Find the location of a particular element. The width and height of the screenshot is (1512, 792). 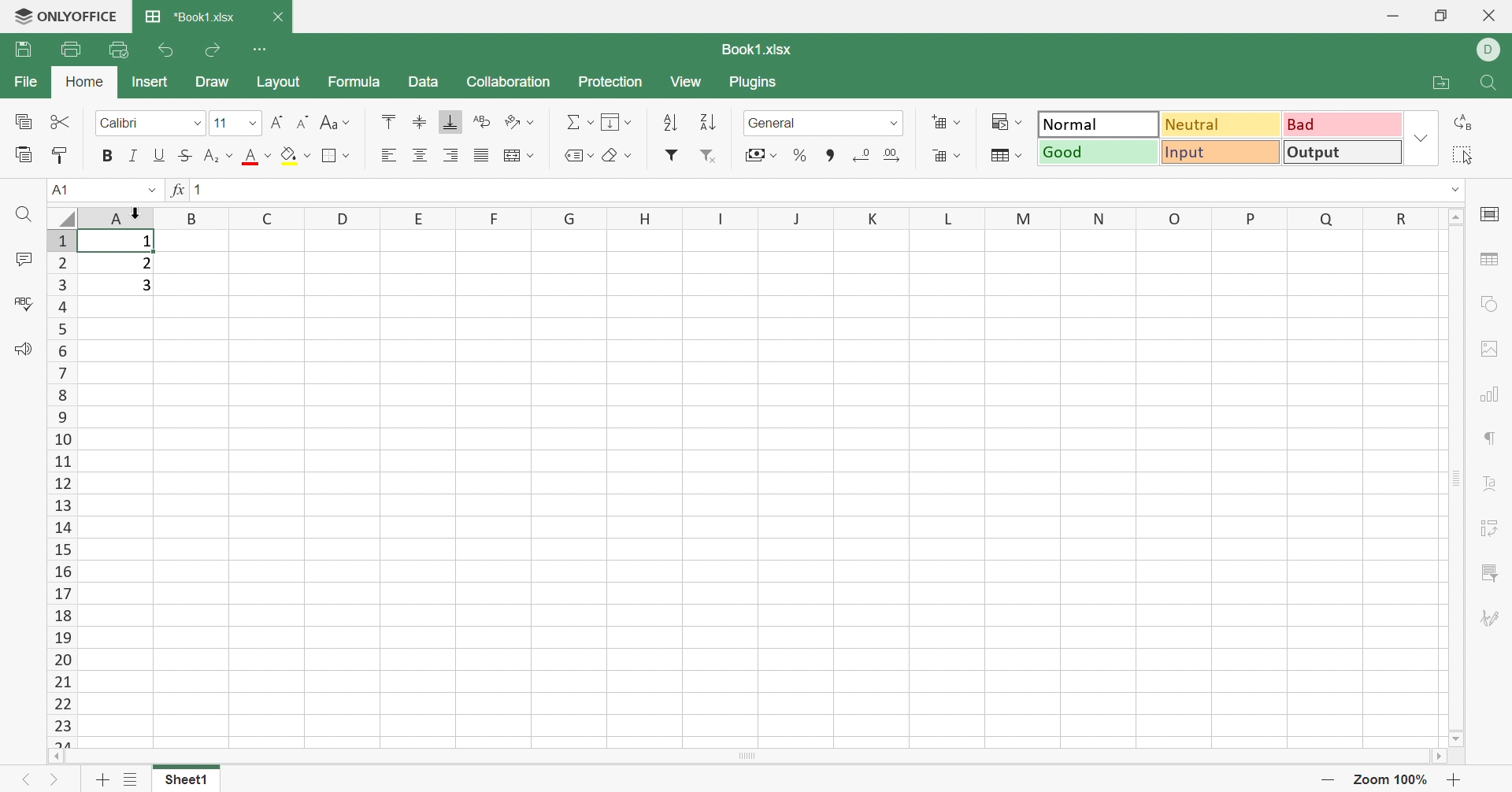

1 is located at coordinates (198, 189).